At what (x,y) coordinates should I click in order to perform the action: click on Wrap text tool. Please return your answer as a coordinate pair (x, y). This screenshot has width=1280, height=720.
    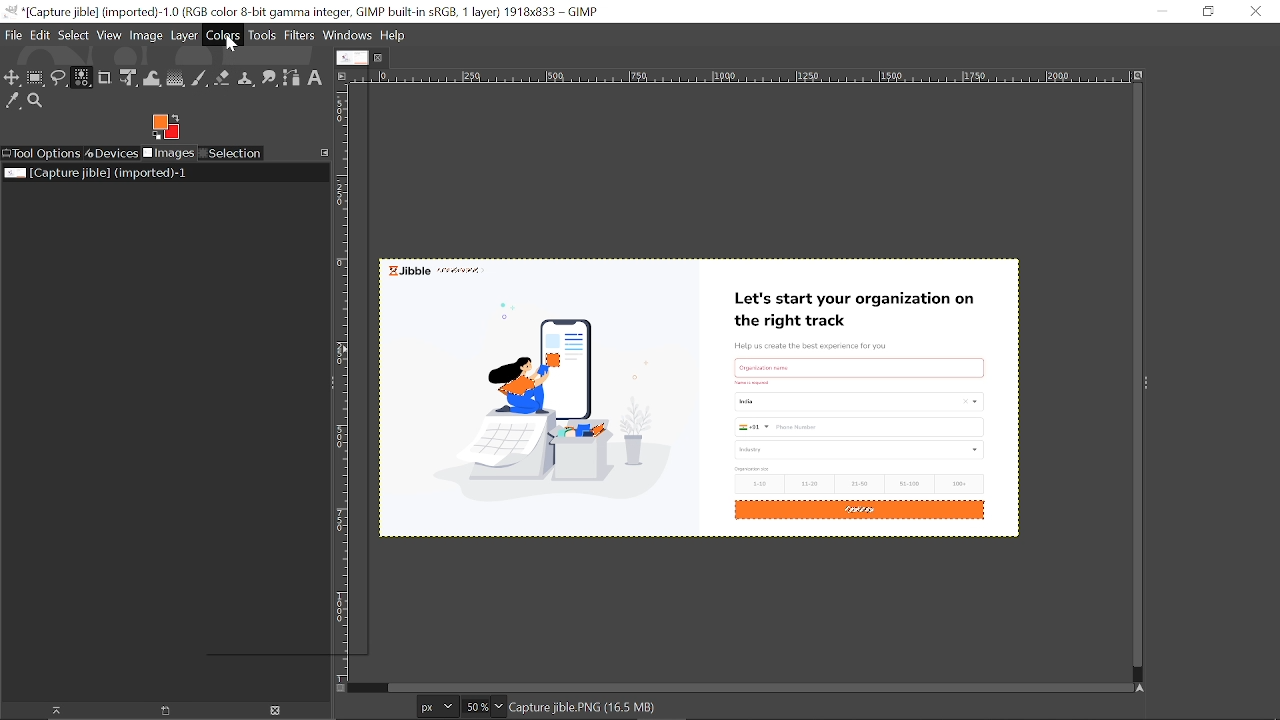
    Looking at the image, I should click on (152, 79).